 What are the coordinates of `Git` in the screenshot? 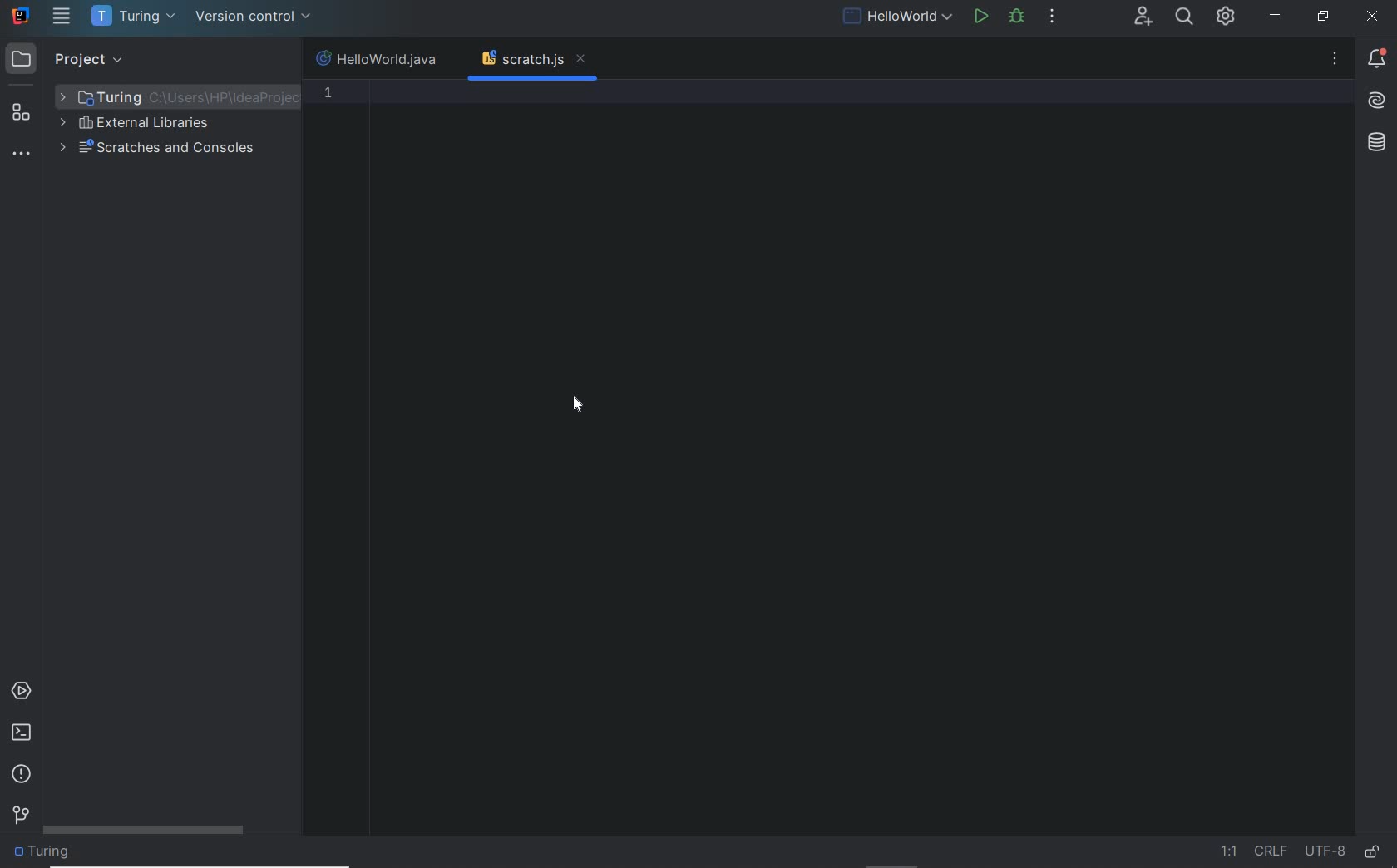 It's located at (21, 813).